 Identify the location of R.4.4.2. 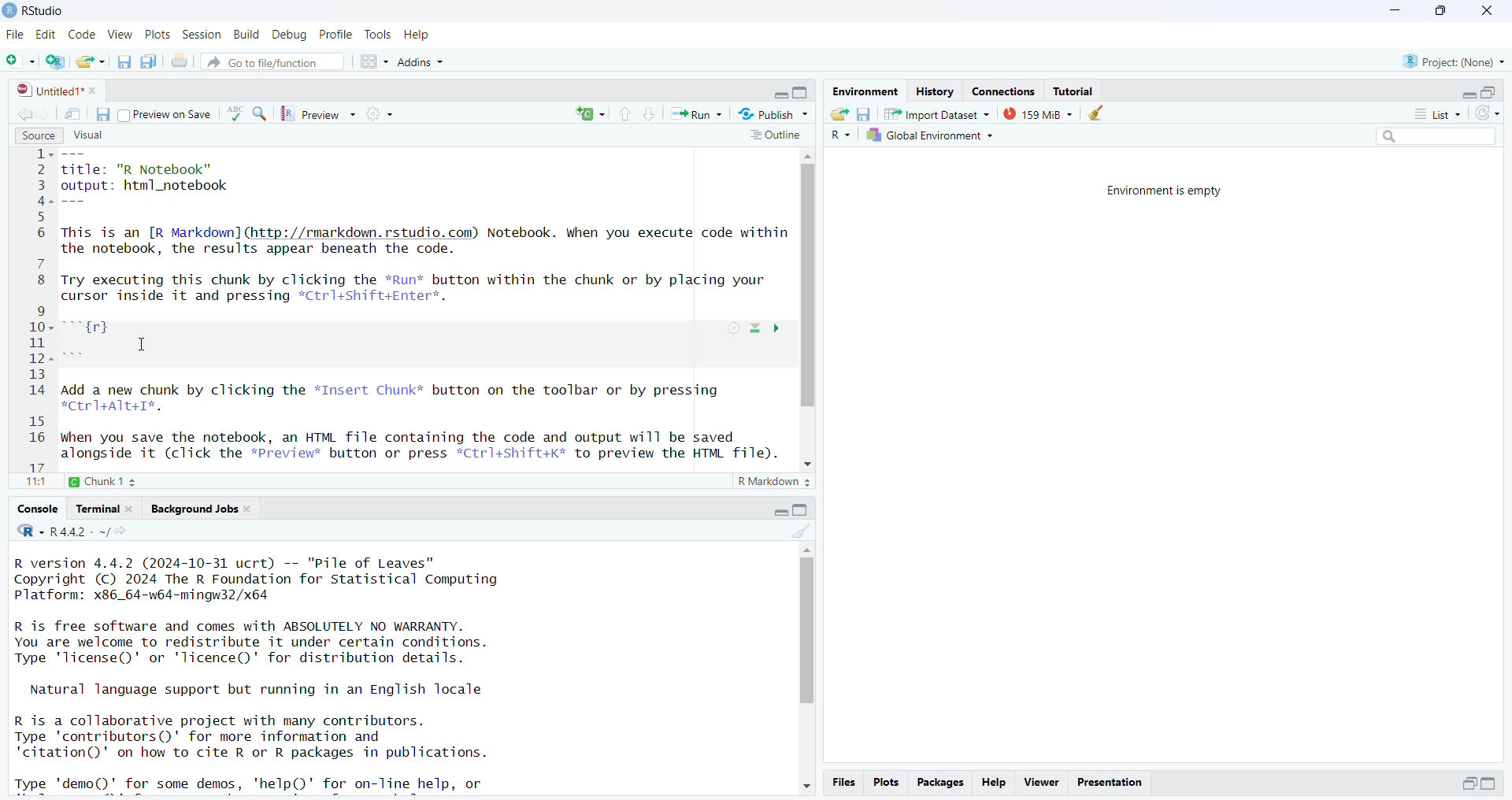
(62, 530).